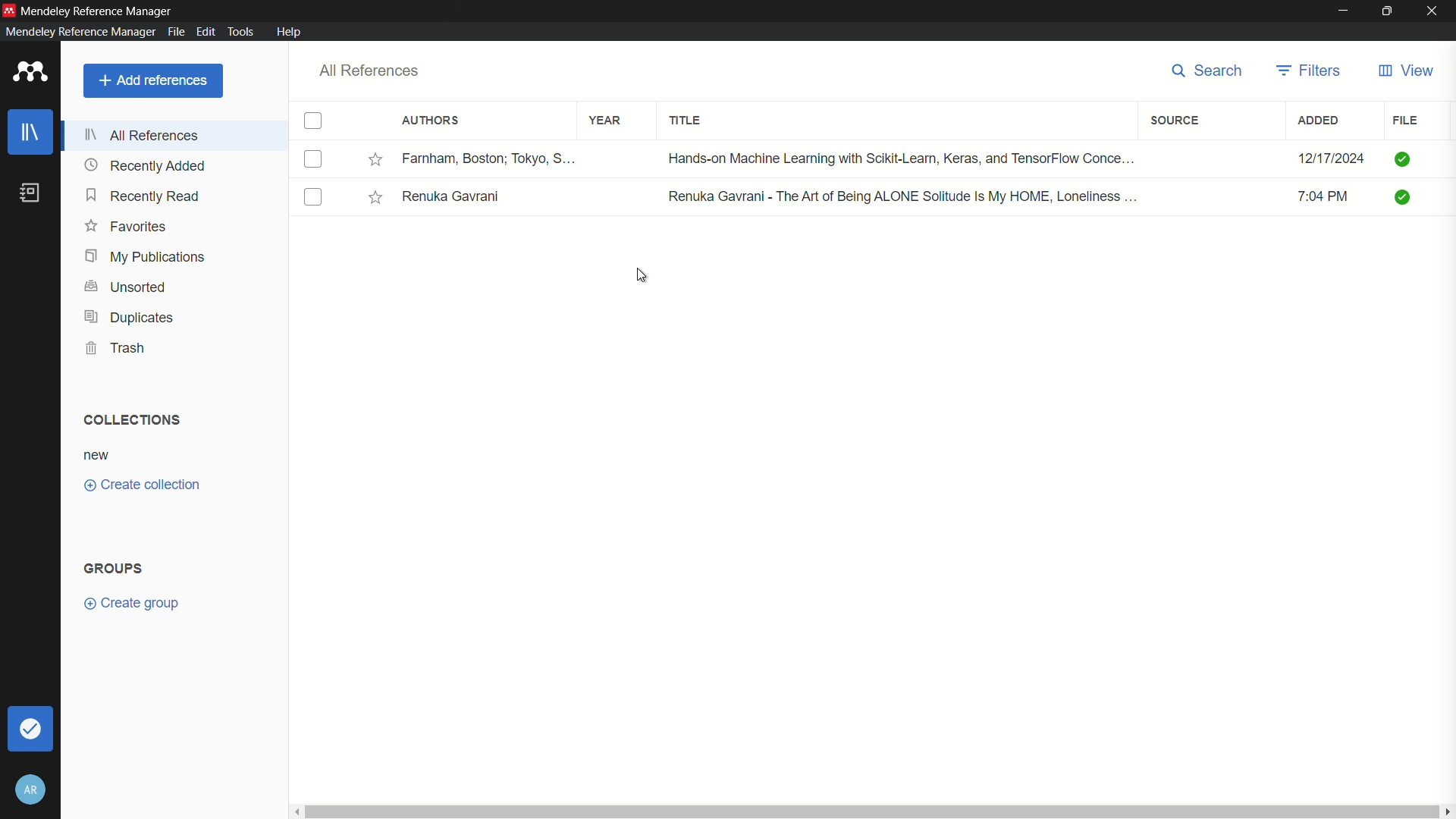 This screenshot has height=819, width=1456. Describe the element at coordinates (30, 133) in the screenshot. I see `library` at that location.